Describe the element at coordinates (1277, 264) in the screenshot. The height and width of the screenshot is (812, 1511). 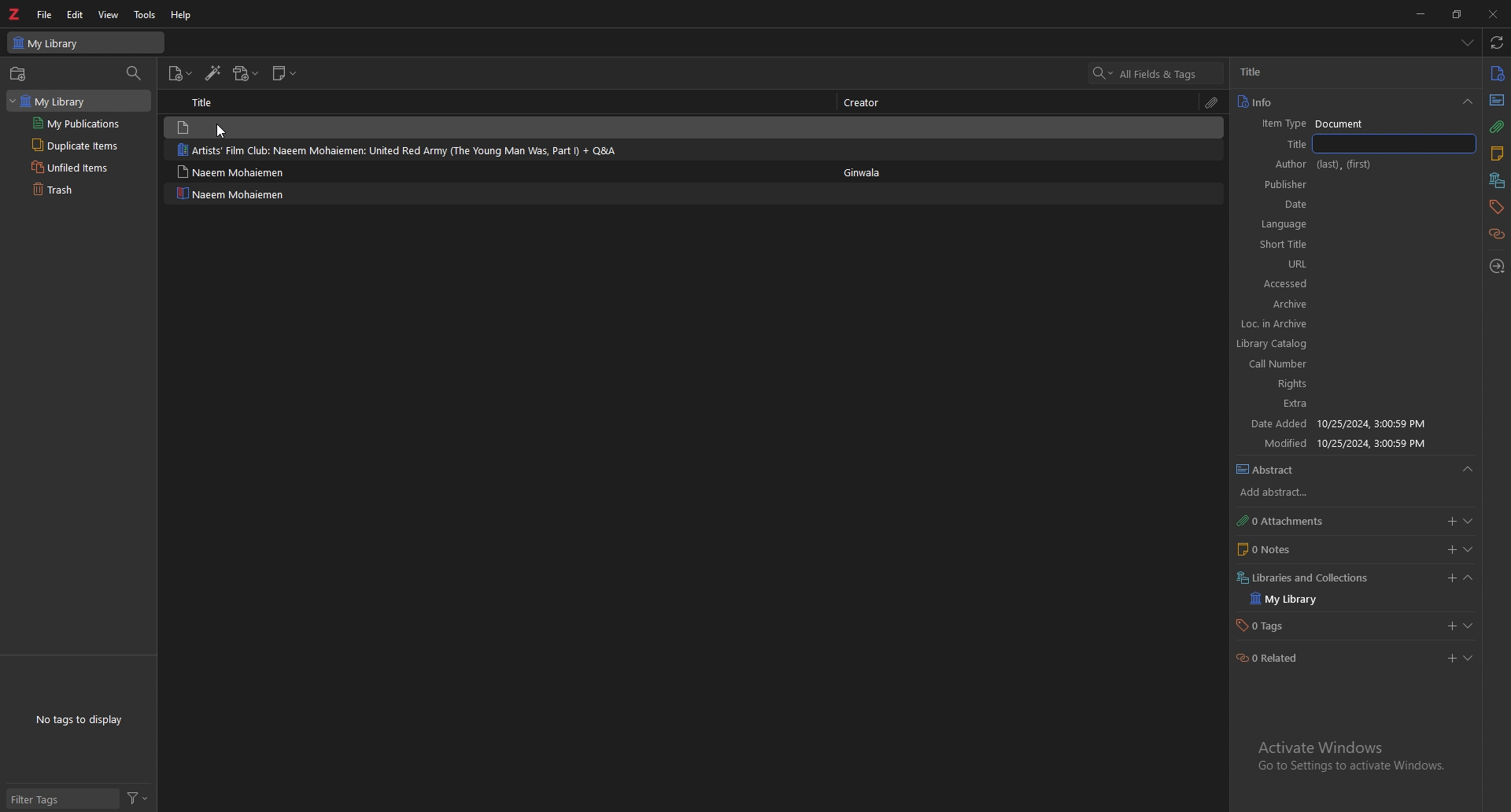
I see `# of volumes` at that location.